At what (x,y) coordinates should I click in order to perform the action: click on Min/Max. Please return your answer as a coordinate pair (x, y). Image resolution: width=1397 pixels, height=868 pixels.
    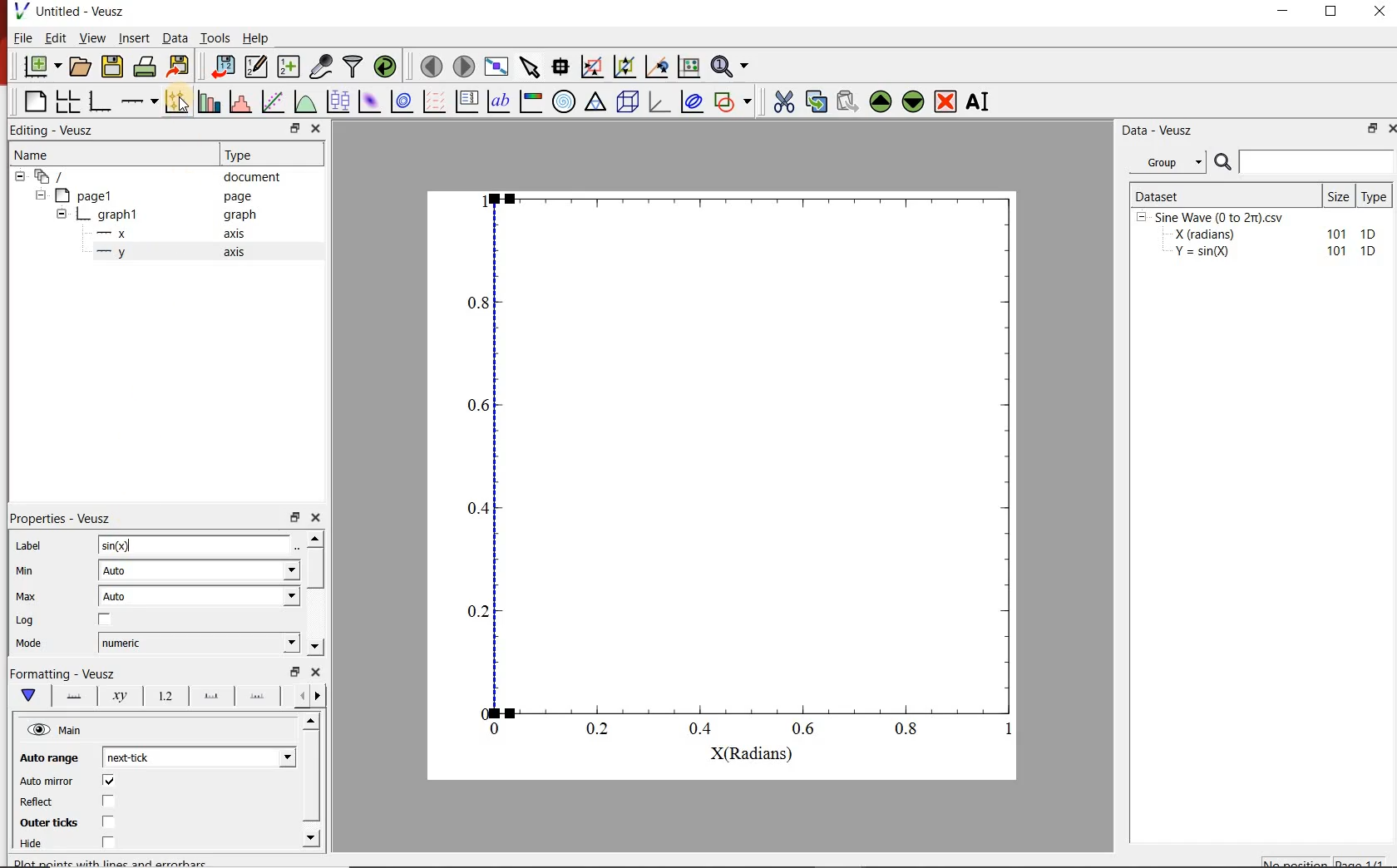
    Looking at the image, I should click on (295, 515).